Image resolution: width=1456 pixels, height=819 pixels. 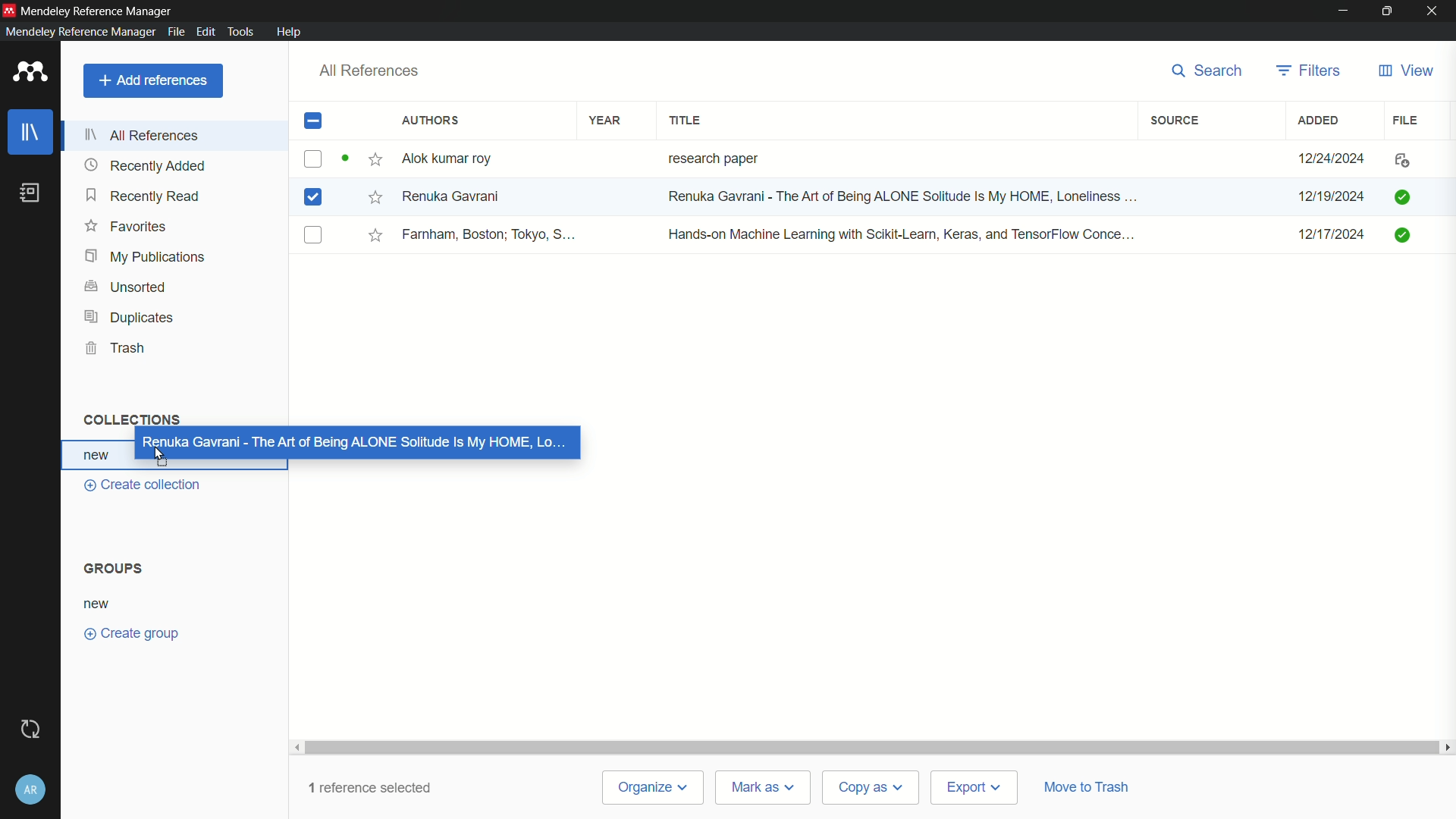 I want to click on new, so click(x=99, y=457).